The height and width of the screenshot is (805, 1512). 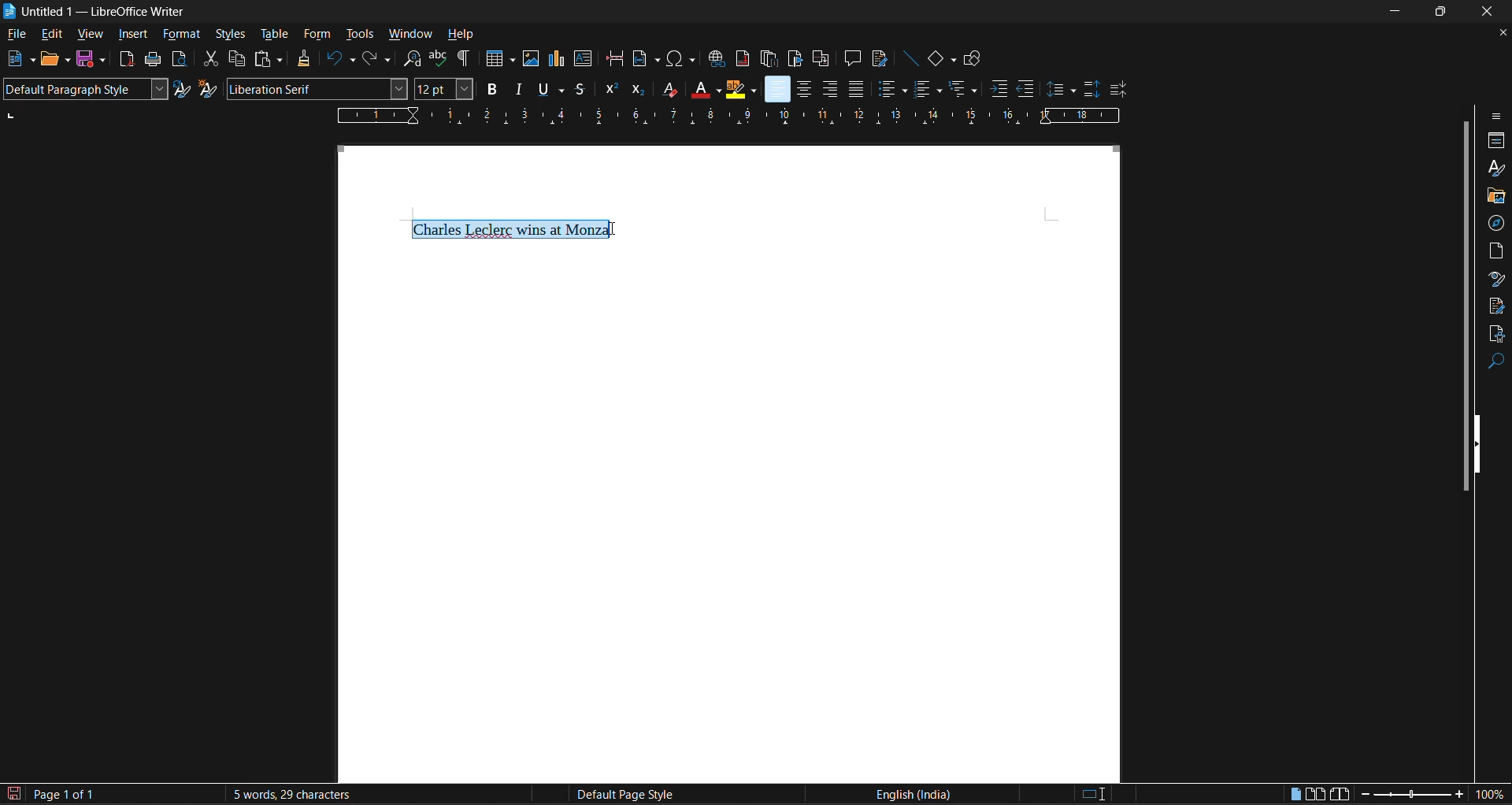 I want to click on show track change functions, so click(x=878, y=58).